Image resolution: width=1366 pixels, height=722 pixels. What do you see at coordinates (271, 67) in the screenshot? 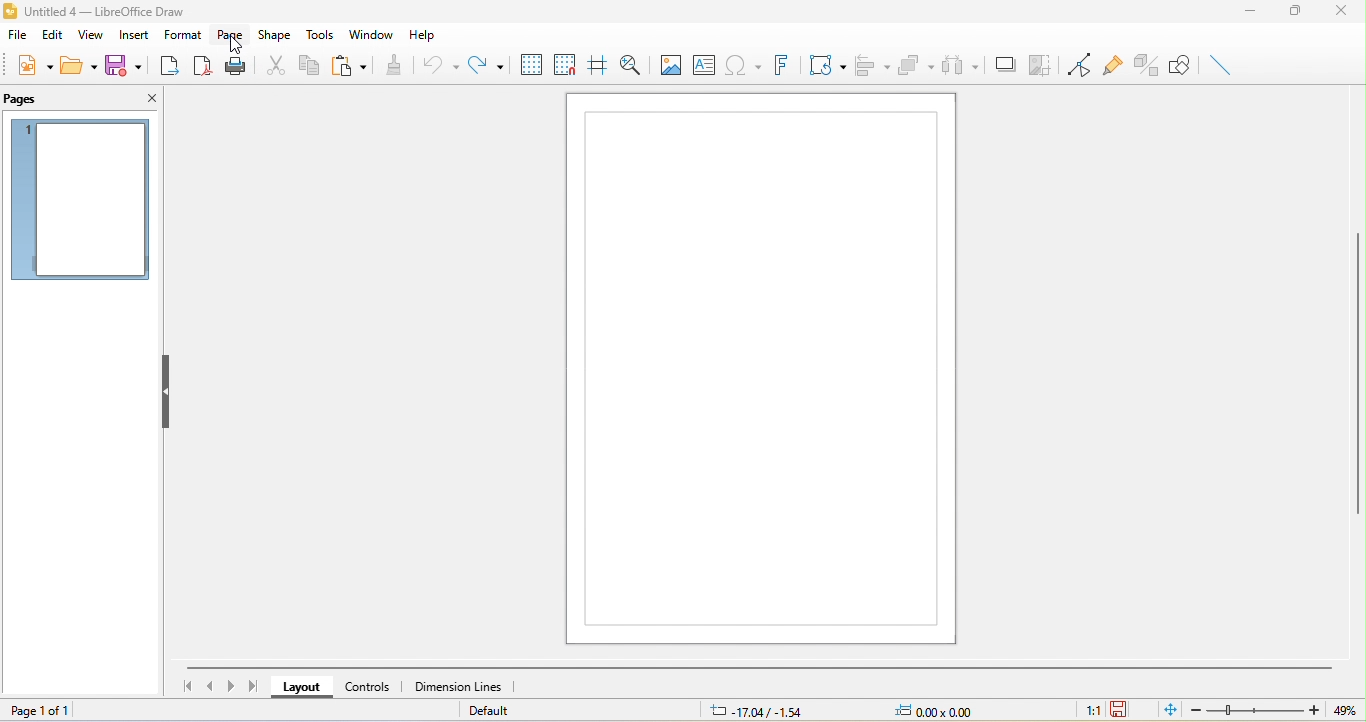
I see `cut` at bounding box center [271, 67].